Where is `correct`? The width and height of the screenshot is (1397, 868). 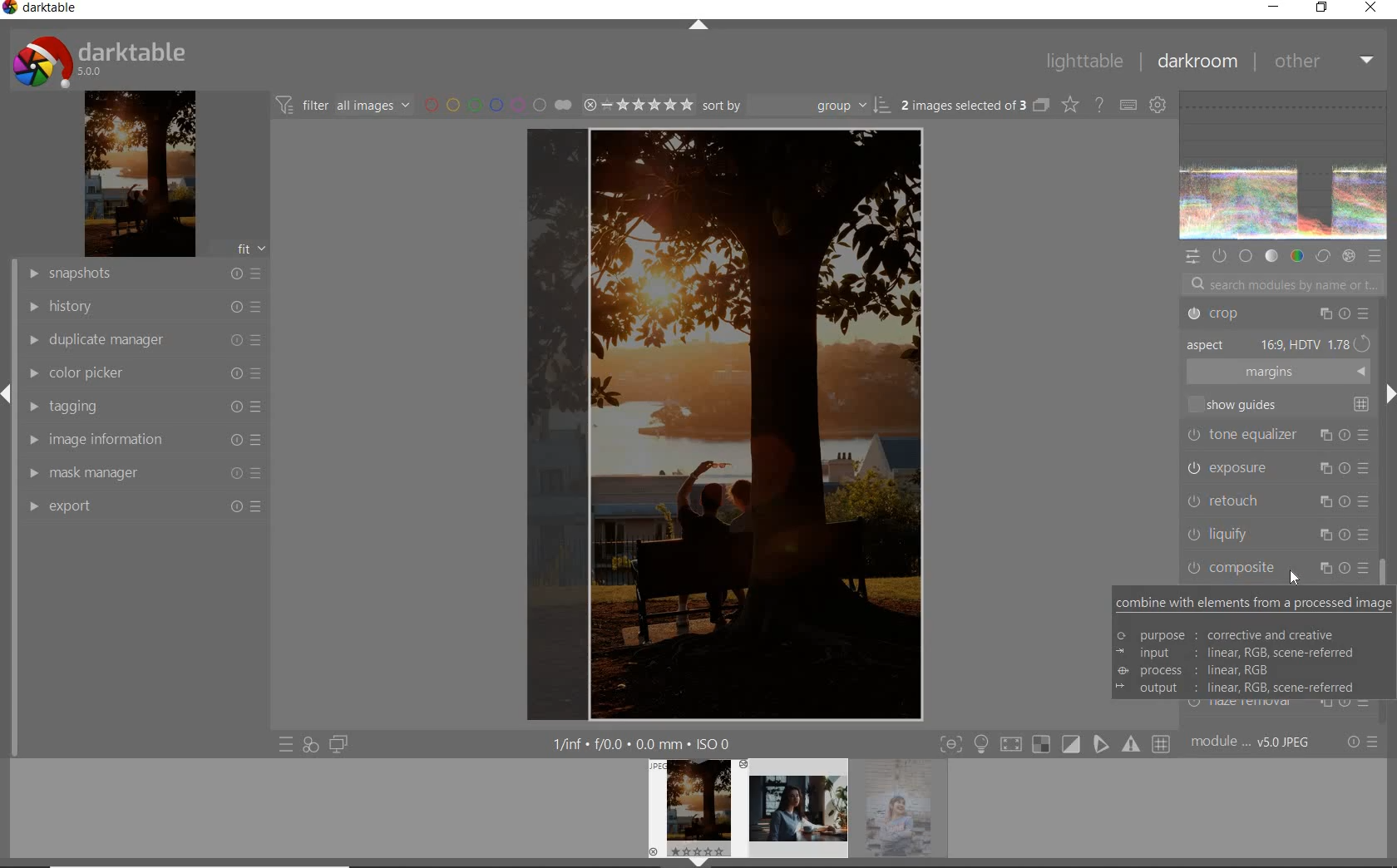
correct is located at coordinates (1321, 255).